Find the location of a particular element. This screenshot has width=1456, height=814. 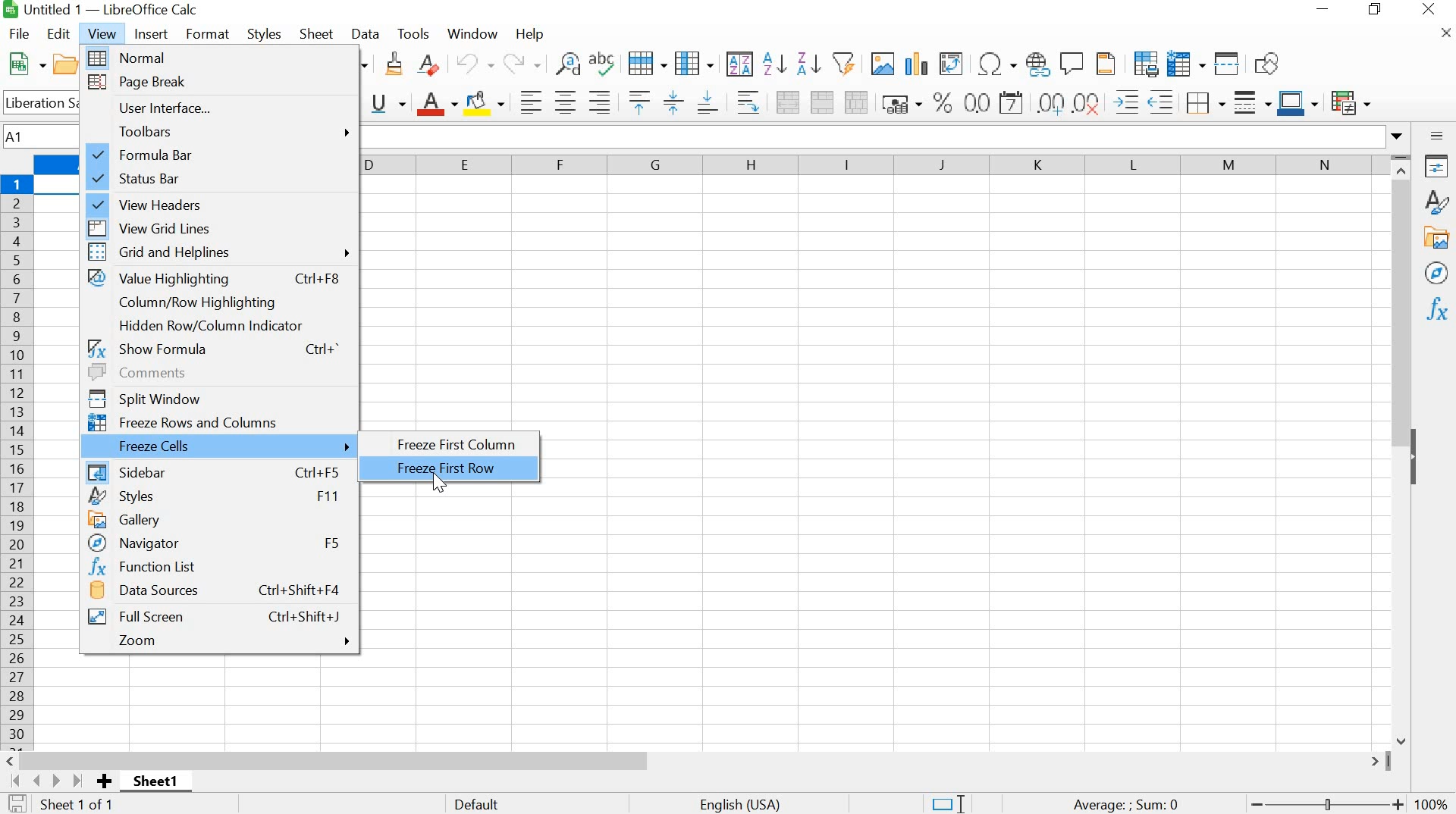

FORMULA is located at coordinates (1127, 805).